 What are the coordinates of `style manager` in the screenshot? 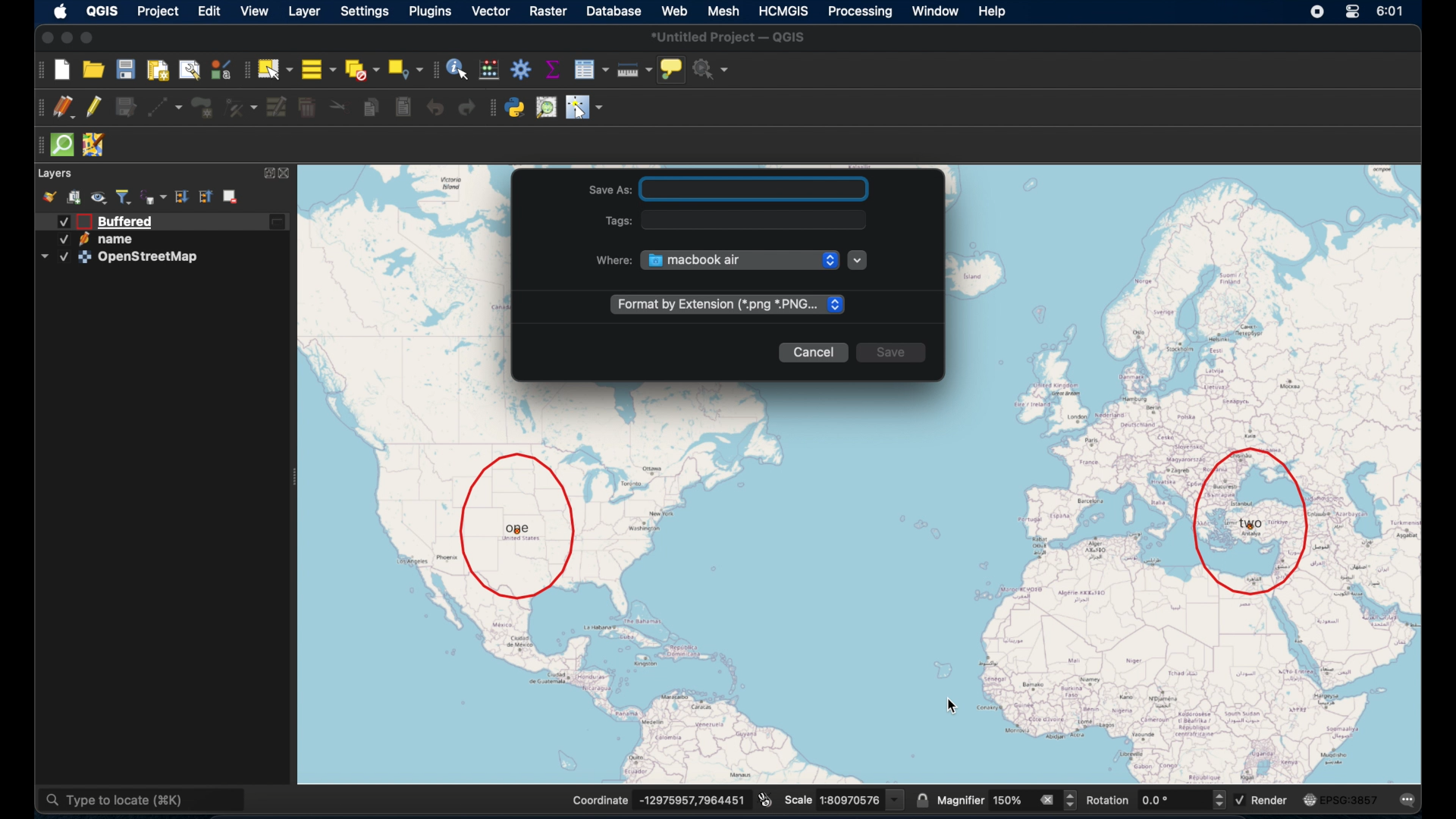 It's located at (51, 196).